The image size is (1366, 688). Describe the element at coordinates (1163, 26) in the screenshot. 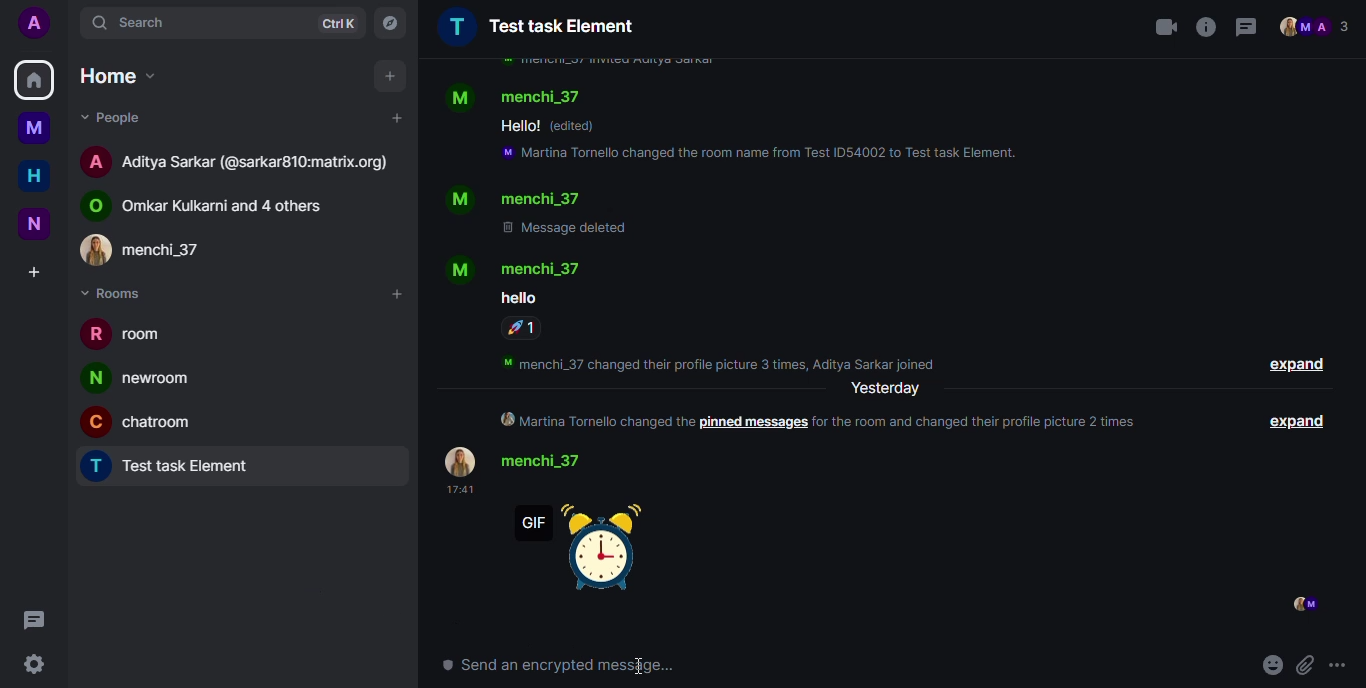

I see `video call` at that location.